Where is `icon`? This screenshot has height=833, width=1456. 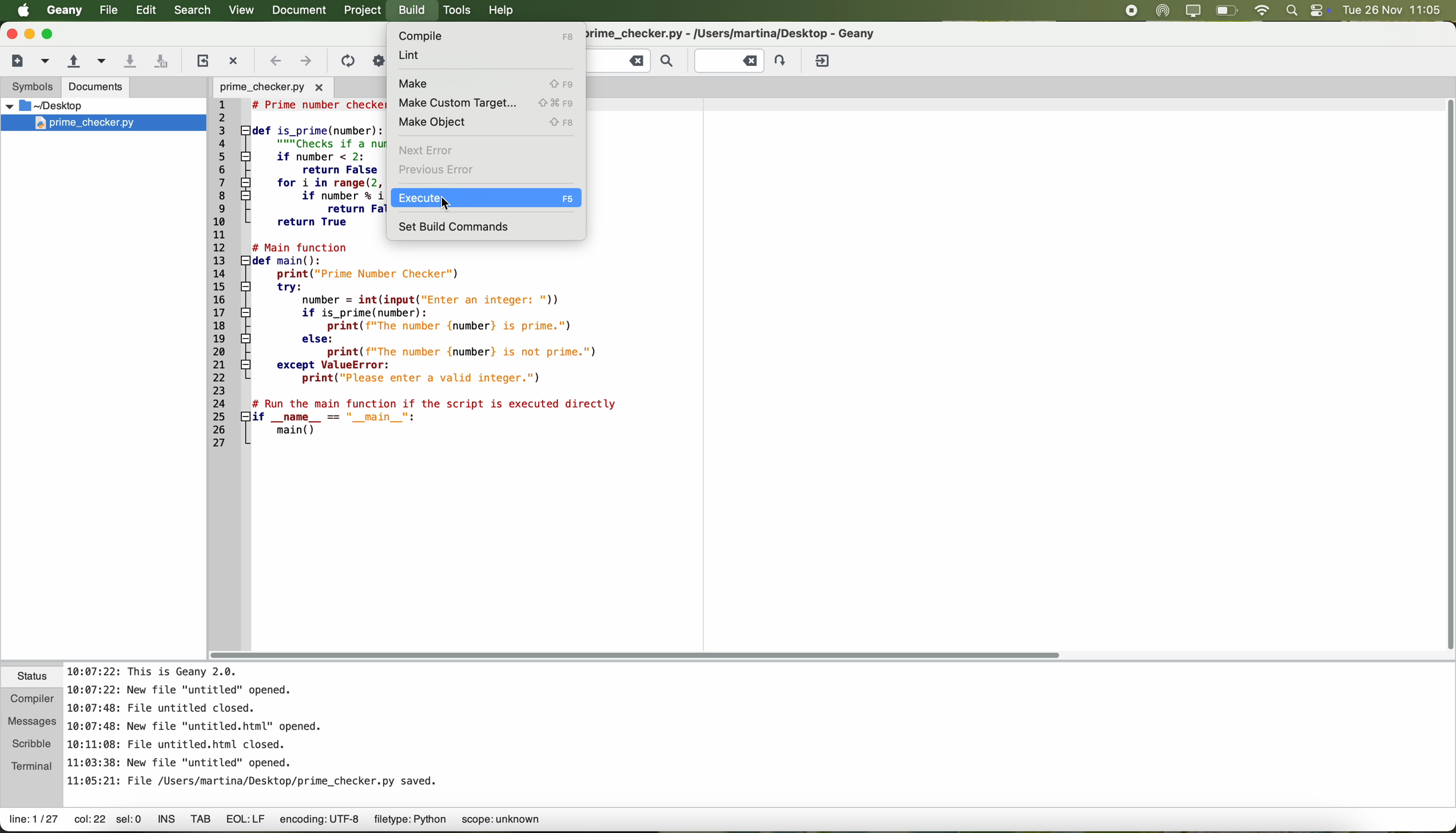
icon is located at coordinates (377, 59).